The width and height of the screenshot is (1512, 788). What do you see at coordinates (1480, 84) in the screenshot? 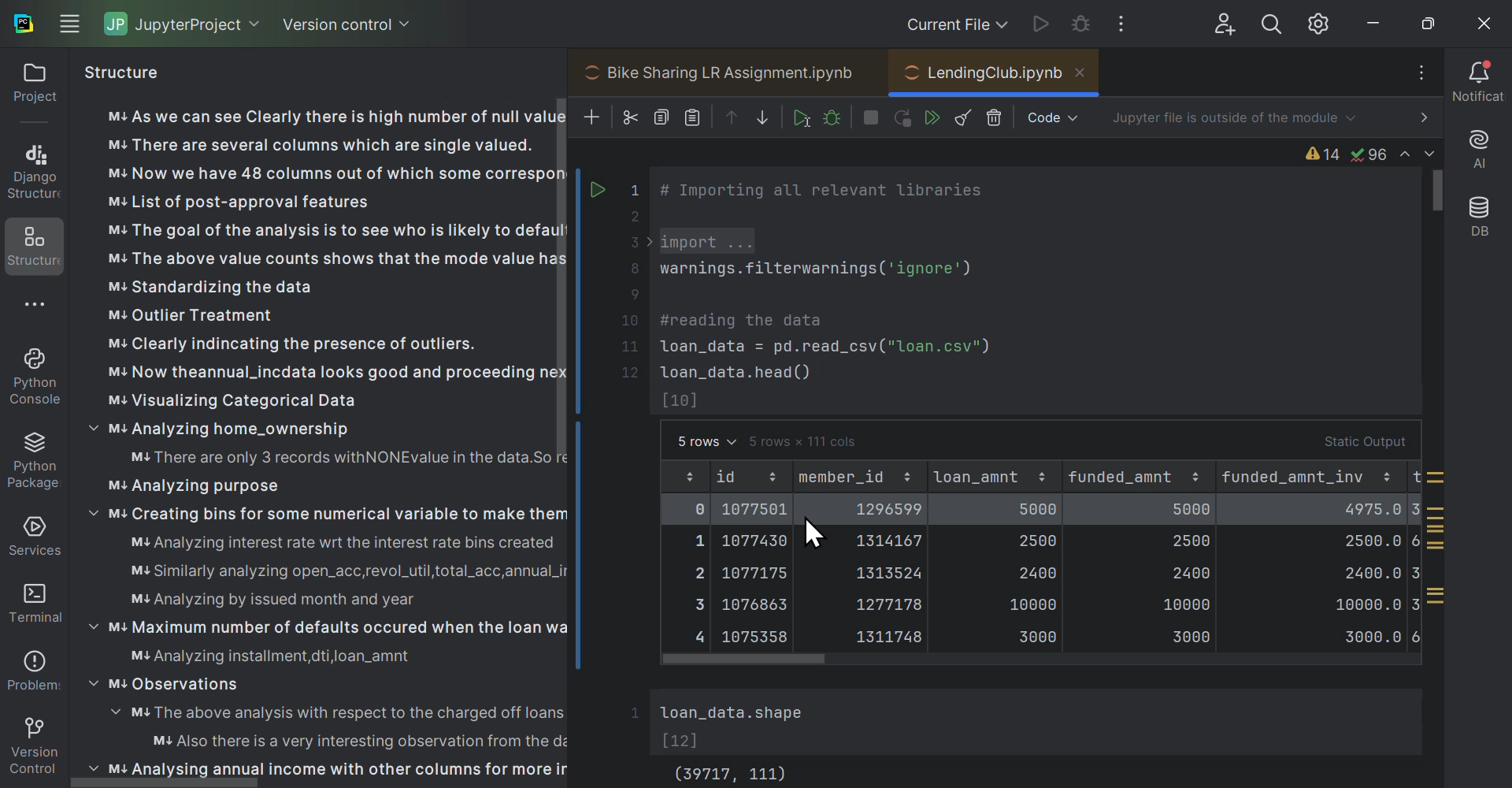
I see `Notifications` at bounding box center [1480, 84].